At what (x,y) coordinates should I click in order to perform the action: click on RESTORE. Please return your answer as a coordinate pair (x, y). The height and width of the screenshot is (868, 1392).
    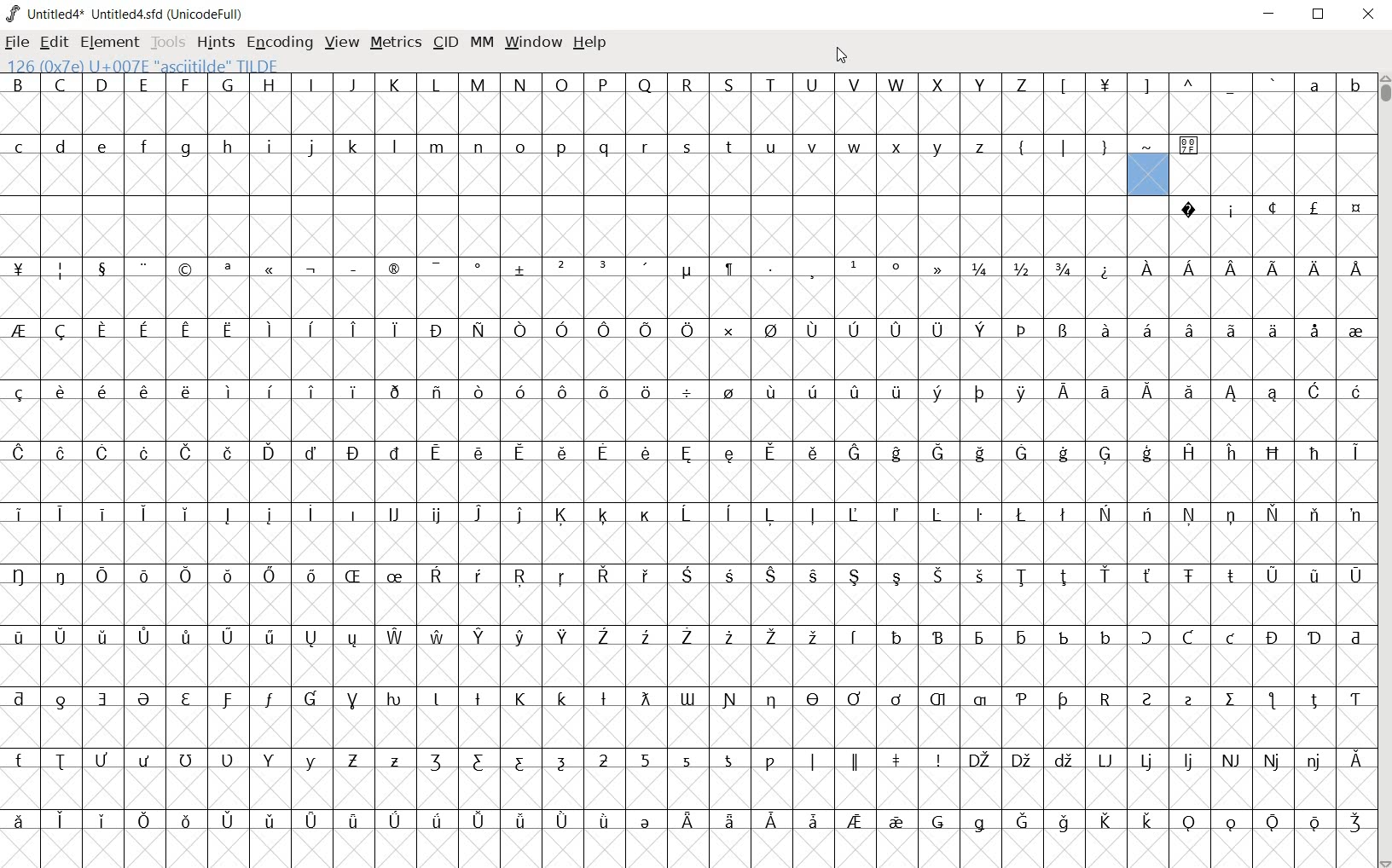
    Looking at the image, I should click on (1322, 15).